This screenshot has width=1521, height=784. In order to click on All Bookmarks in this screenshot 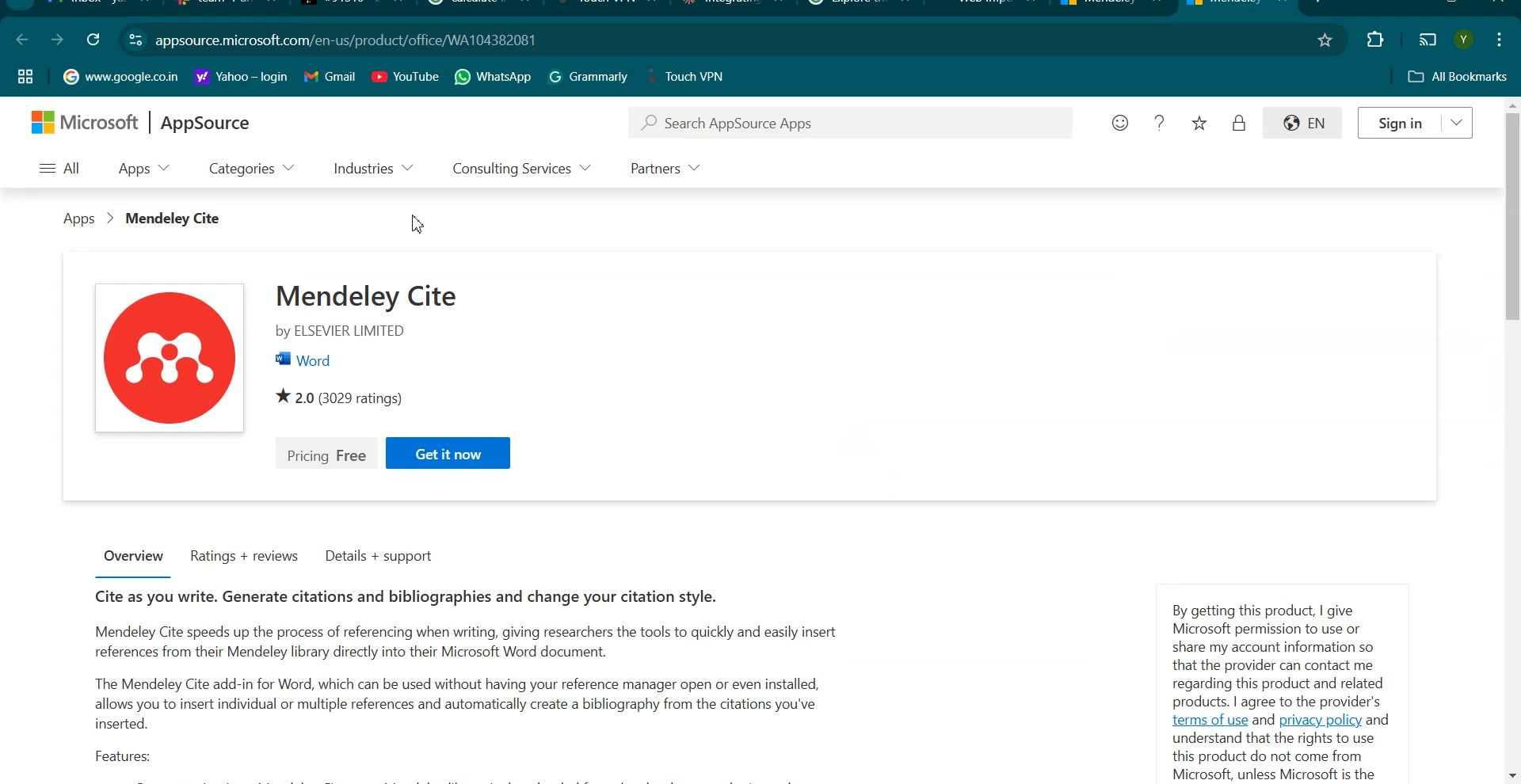, I will do `click(1458, 77)`.